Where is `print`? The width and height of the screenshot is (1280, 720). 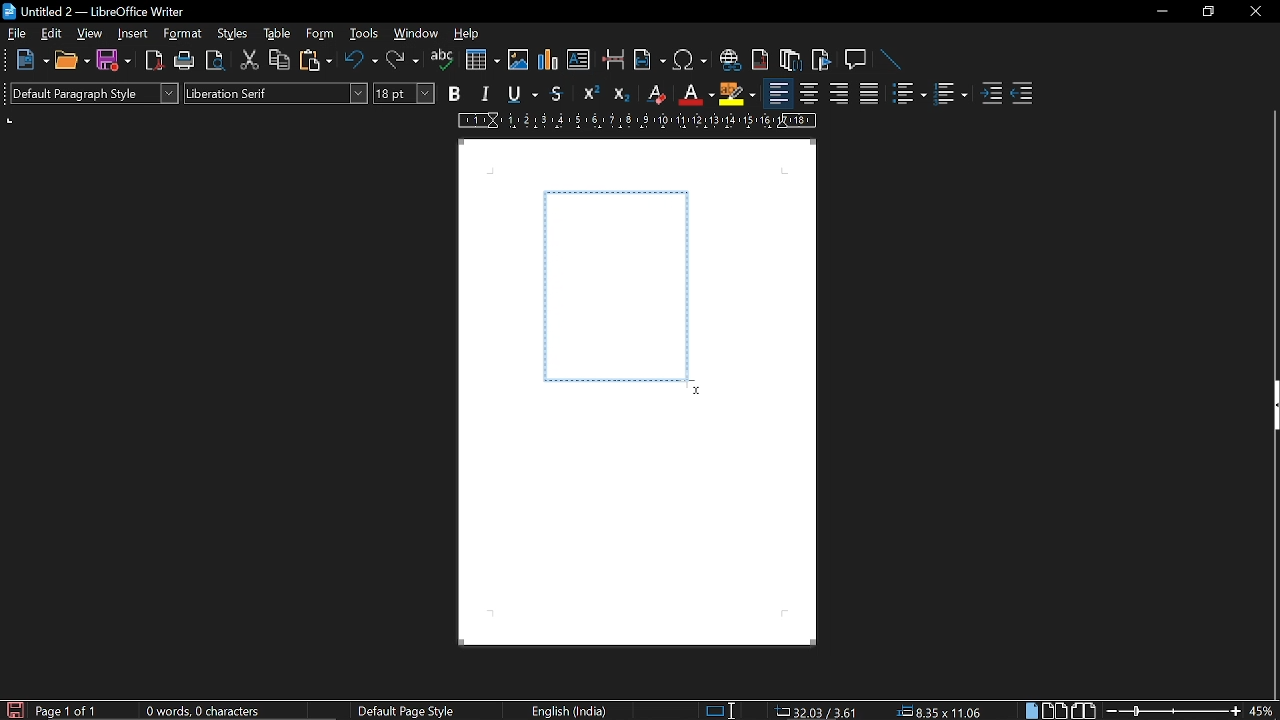
print is located at coordinates (182, 60).